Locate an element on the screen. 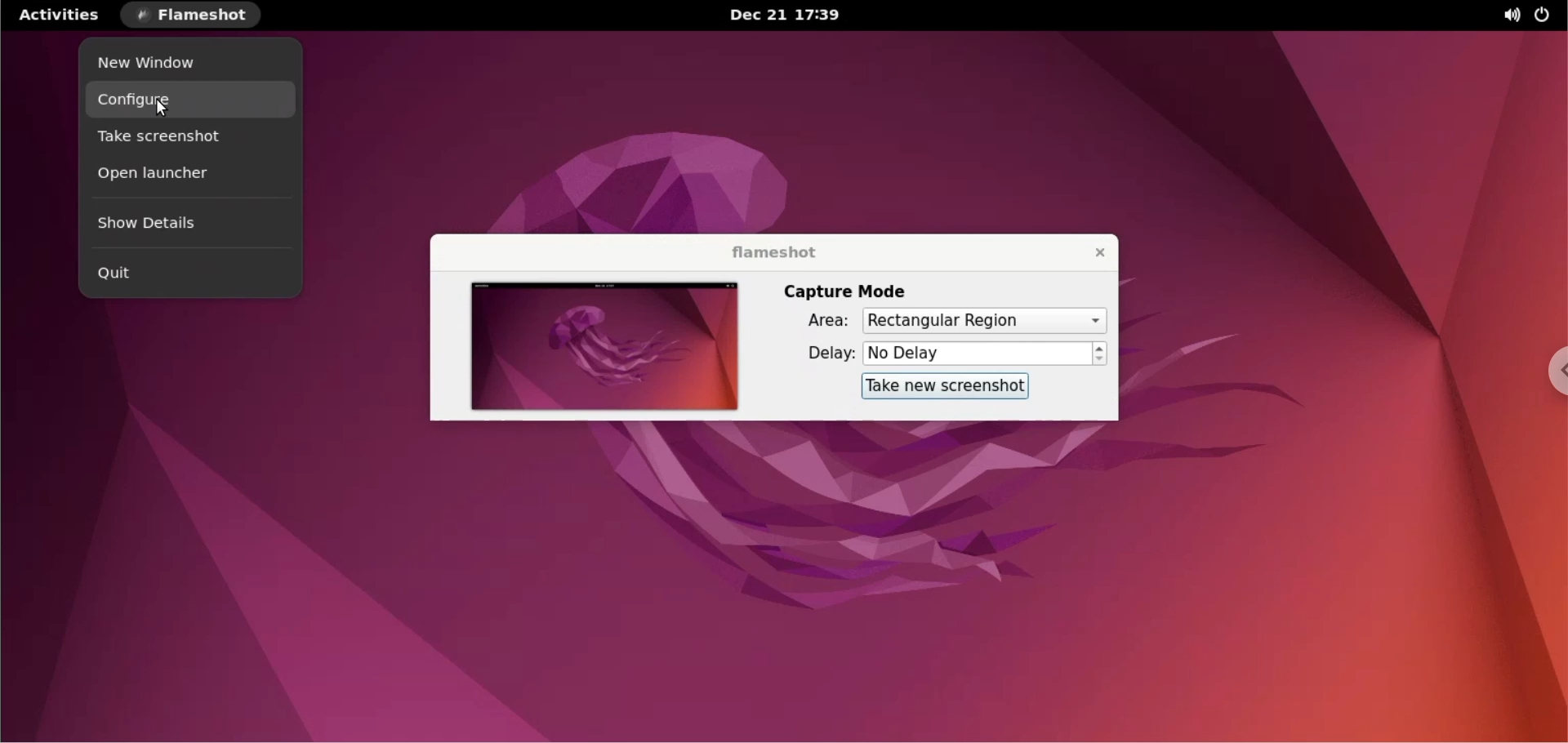 This screenshot has width=1568, height=743. quit  is located at coordinates (188, 273).